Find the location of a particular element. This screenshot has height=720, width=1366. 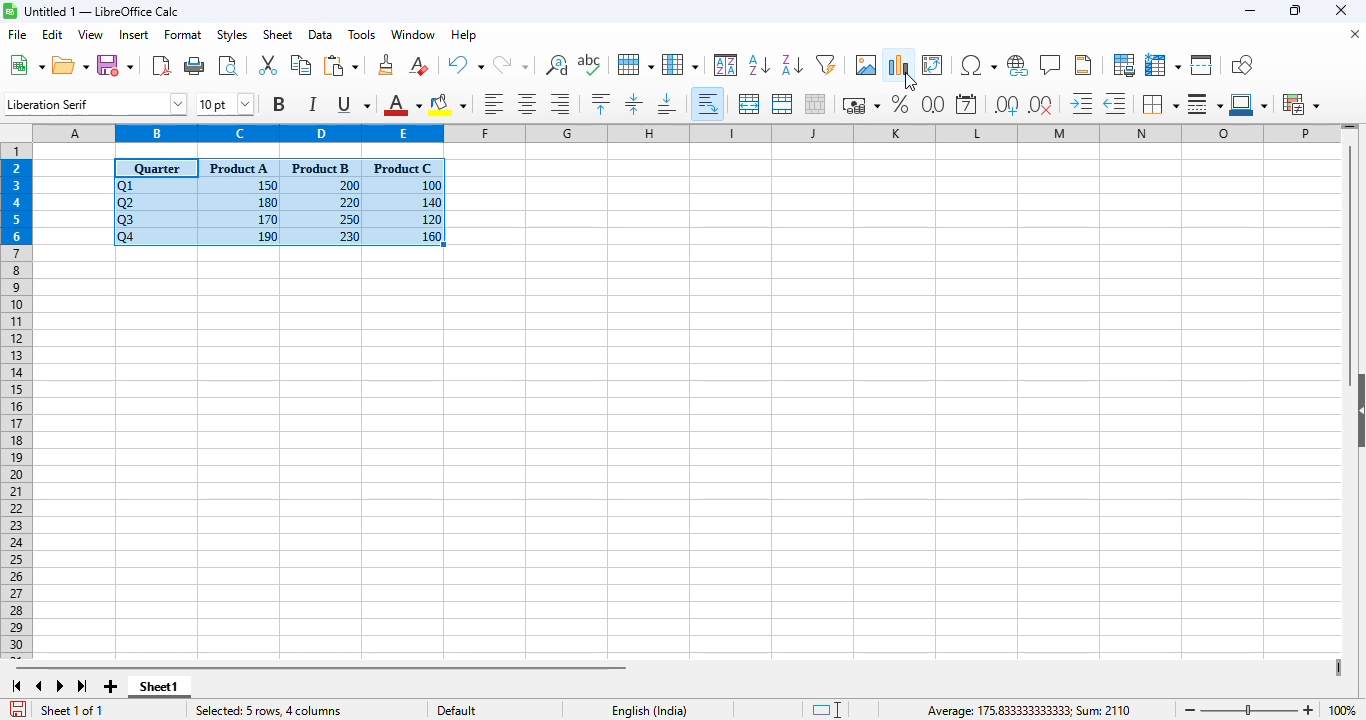

click to save the document is located at coordinates (18, 709).